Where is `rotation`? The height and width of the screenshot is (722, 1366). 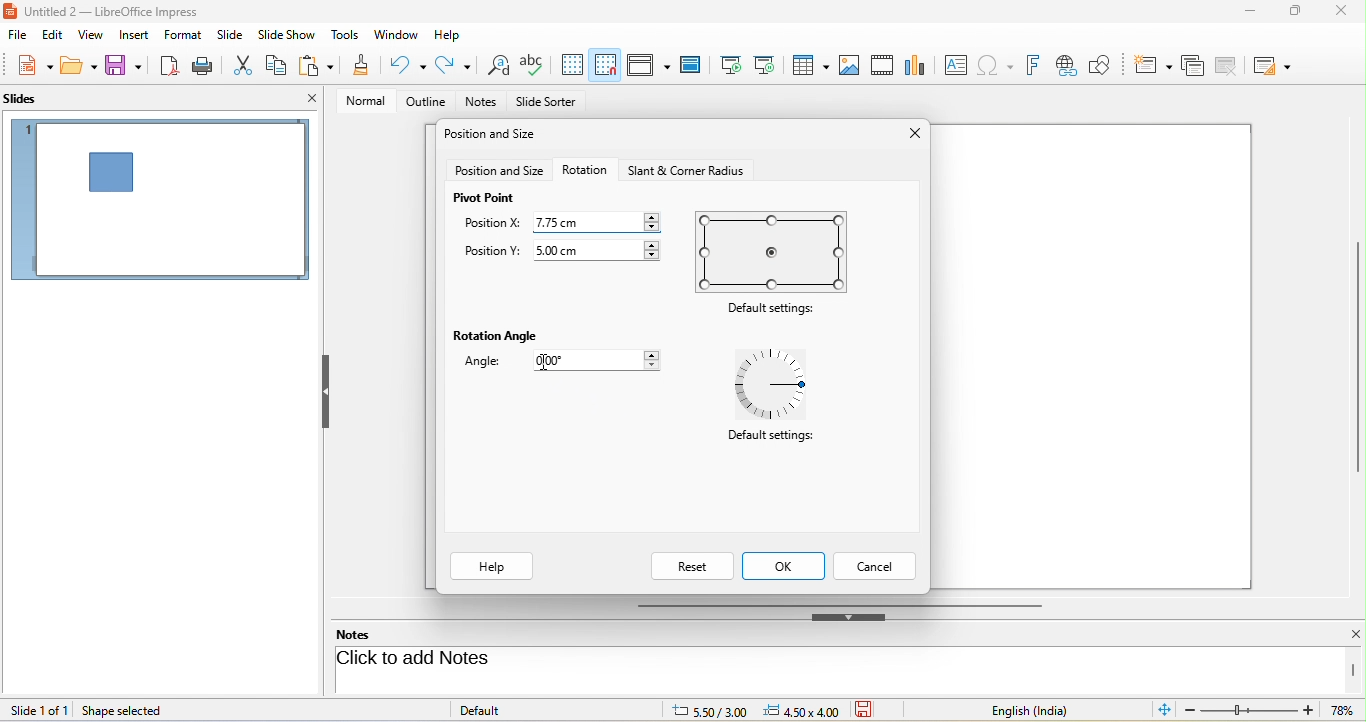 rotation is located at coordinates (585, 169).